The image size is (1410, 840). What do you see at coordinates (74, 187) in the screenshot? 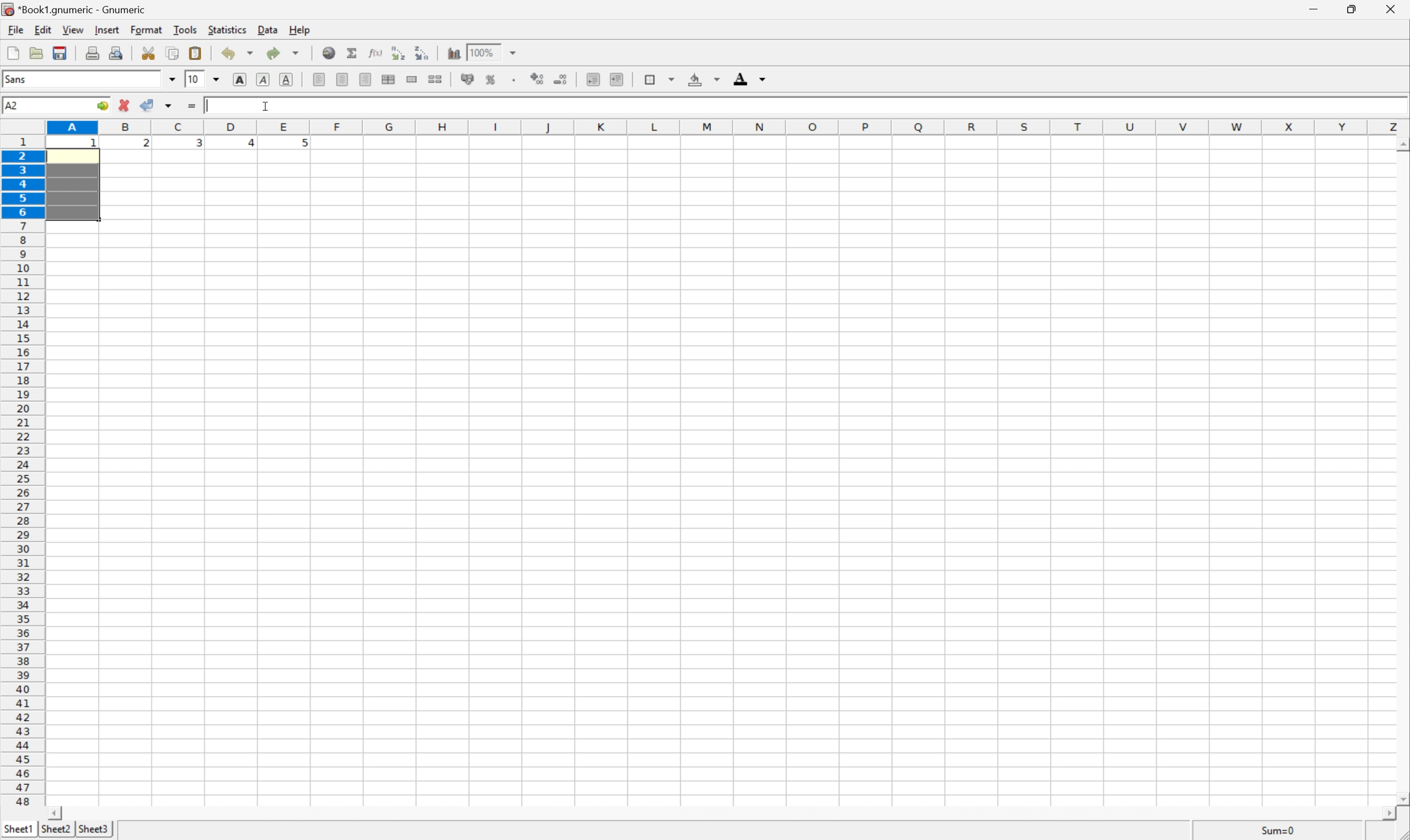
I see `selected cells` at bounding box center [74, 187].